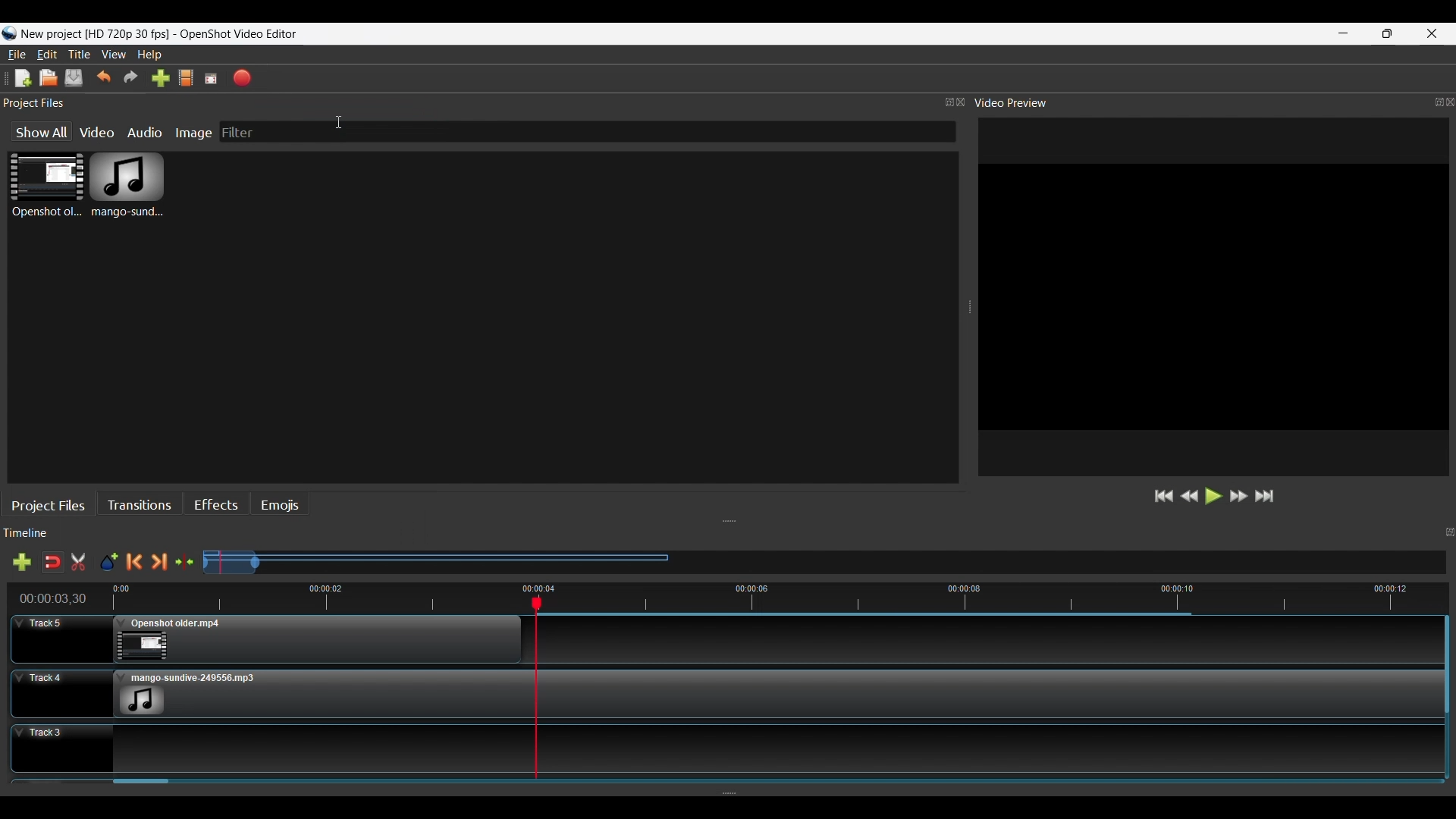 The width and height of the screenshot is (1456, 819). What do you see at coordinates (1447, 104) in the screenshot?
I see `Close` at bounding box center [1447, 104].